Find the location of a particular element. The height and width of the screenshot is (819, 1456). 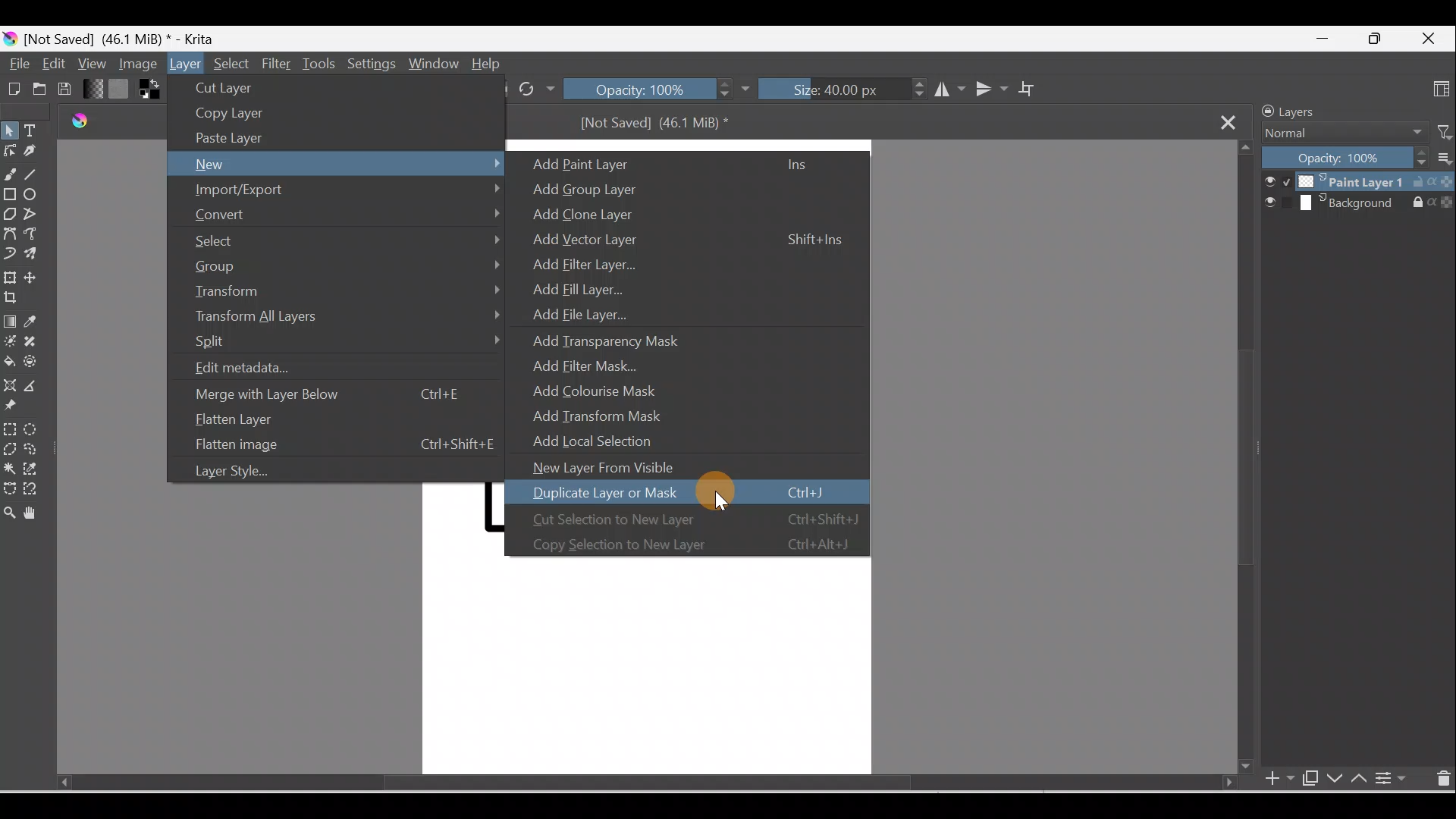

Polygon tool is located at coordinates (11, 214).